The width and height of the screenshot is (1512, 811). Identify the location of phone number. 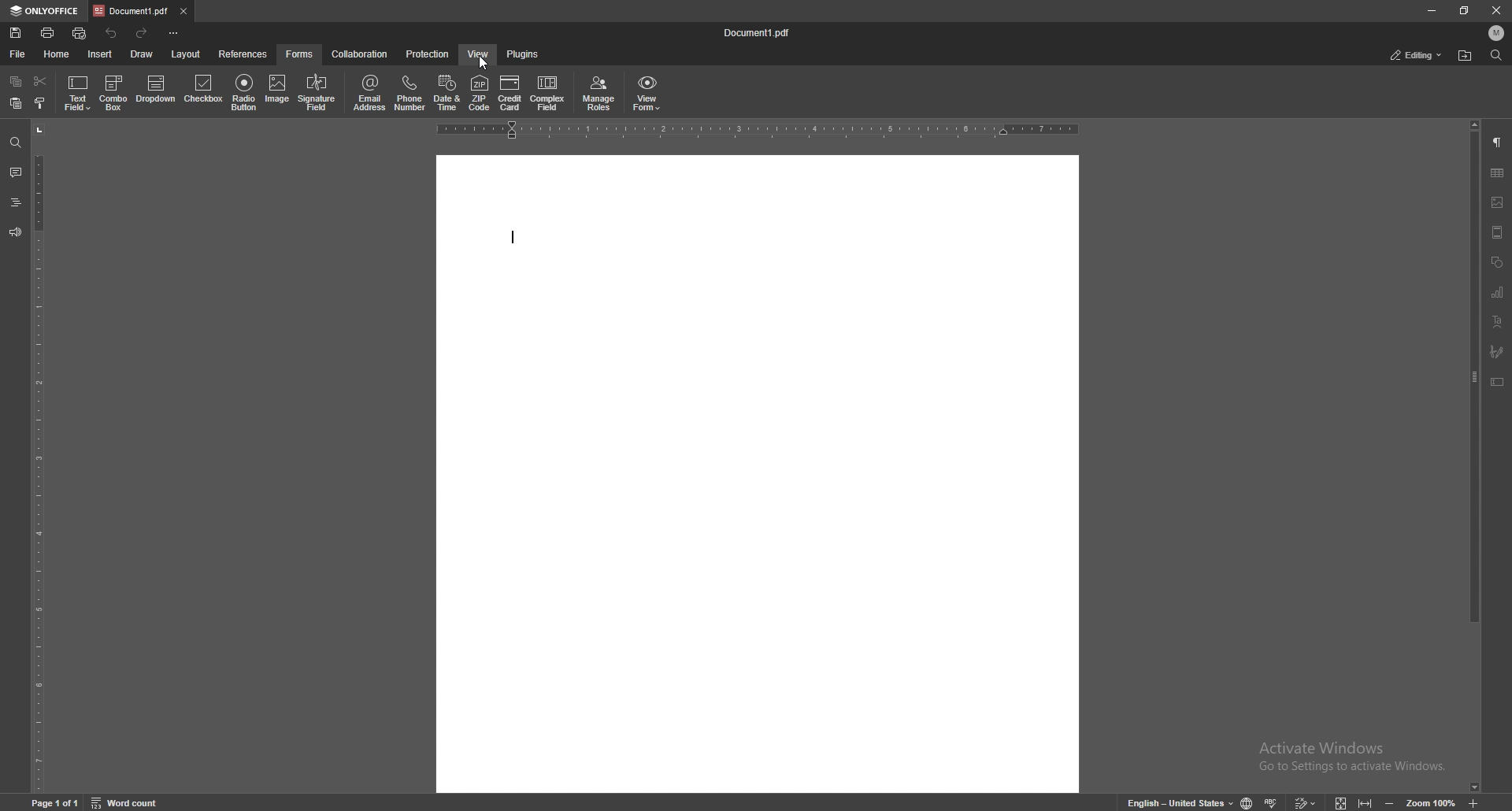
(409, 92).